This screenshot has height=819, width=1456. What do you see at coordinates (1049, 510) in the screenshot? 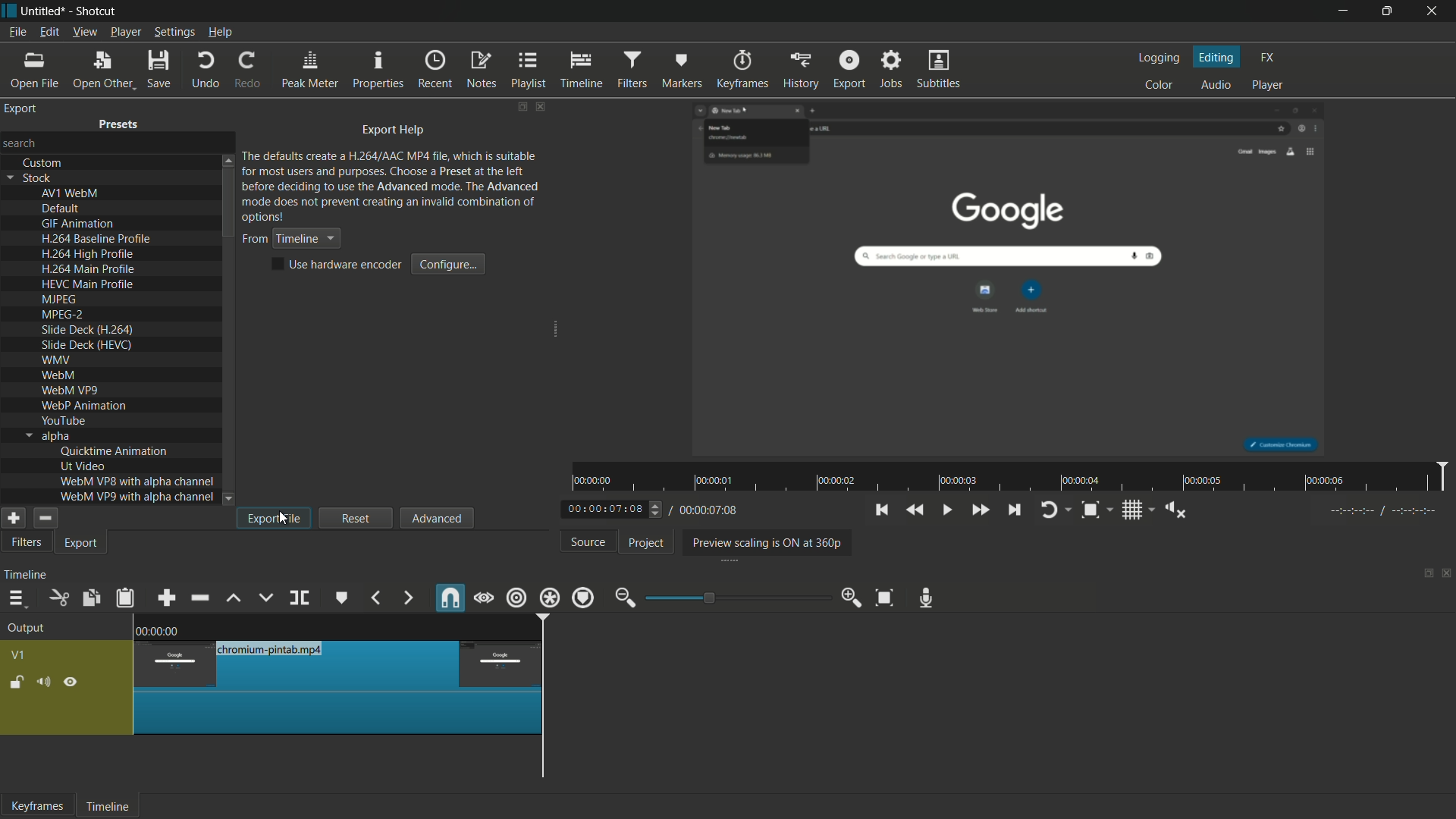
I see `toggle player looping` at bounding box center [1049, 510].